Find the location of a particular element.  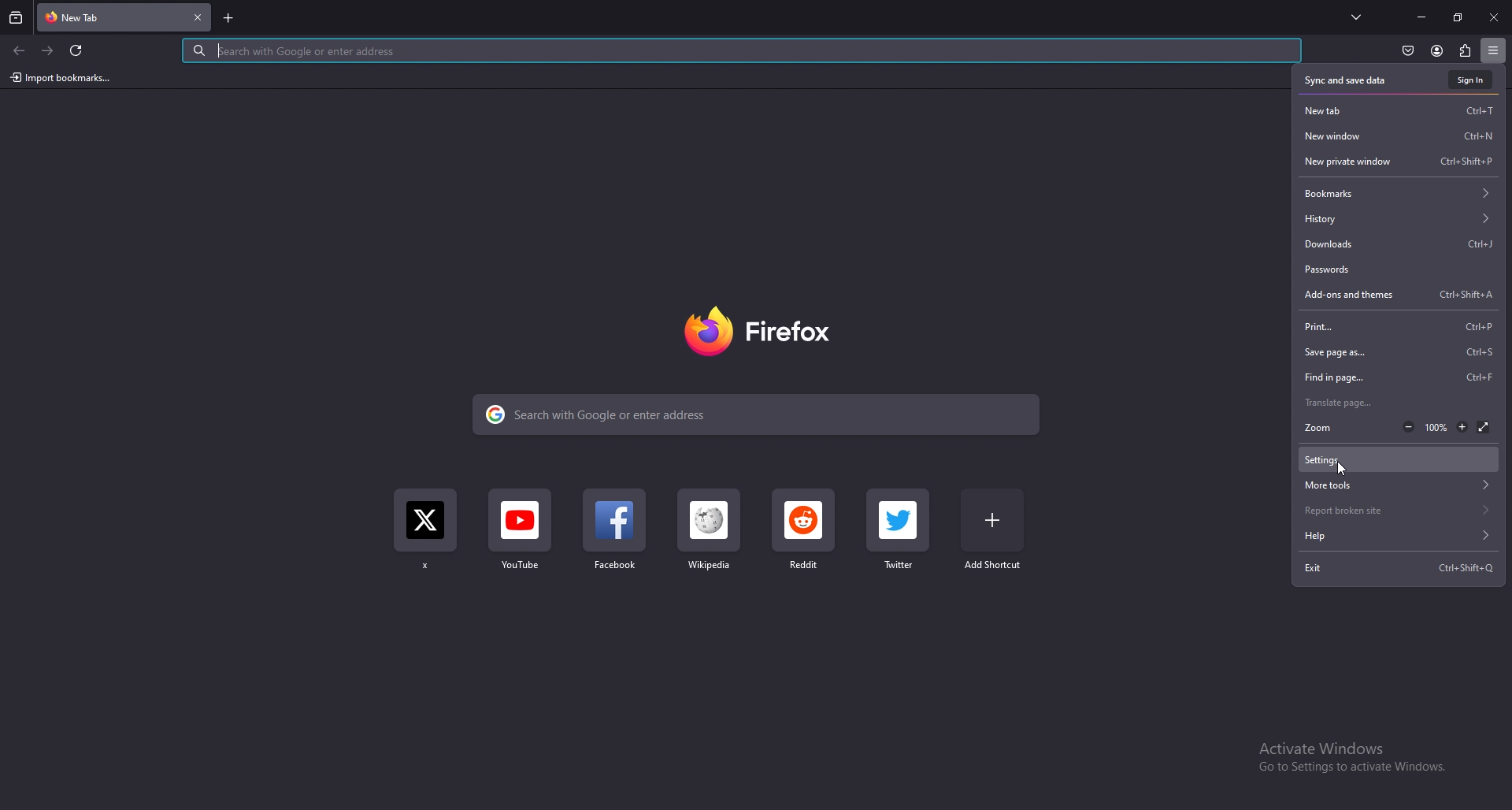

exit is located at coordinates (1402, 567).